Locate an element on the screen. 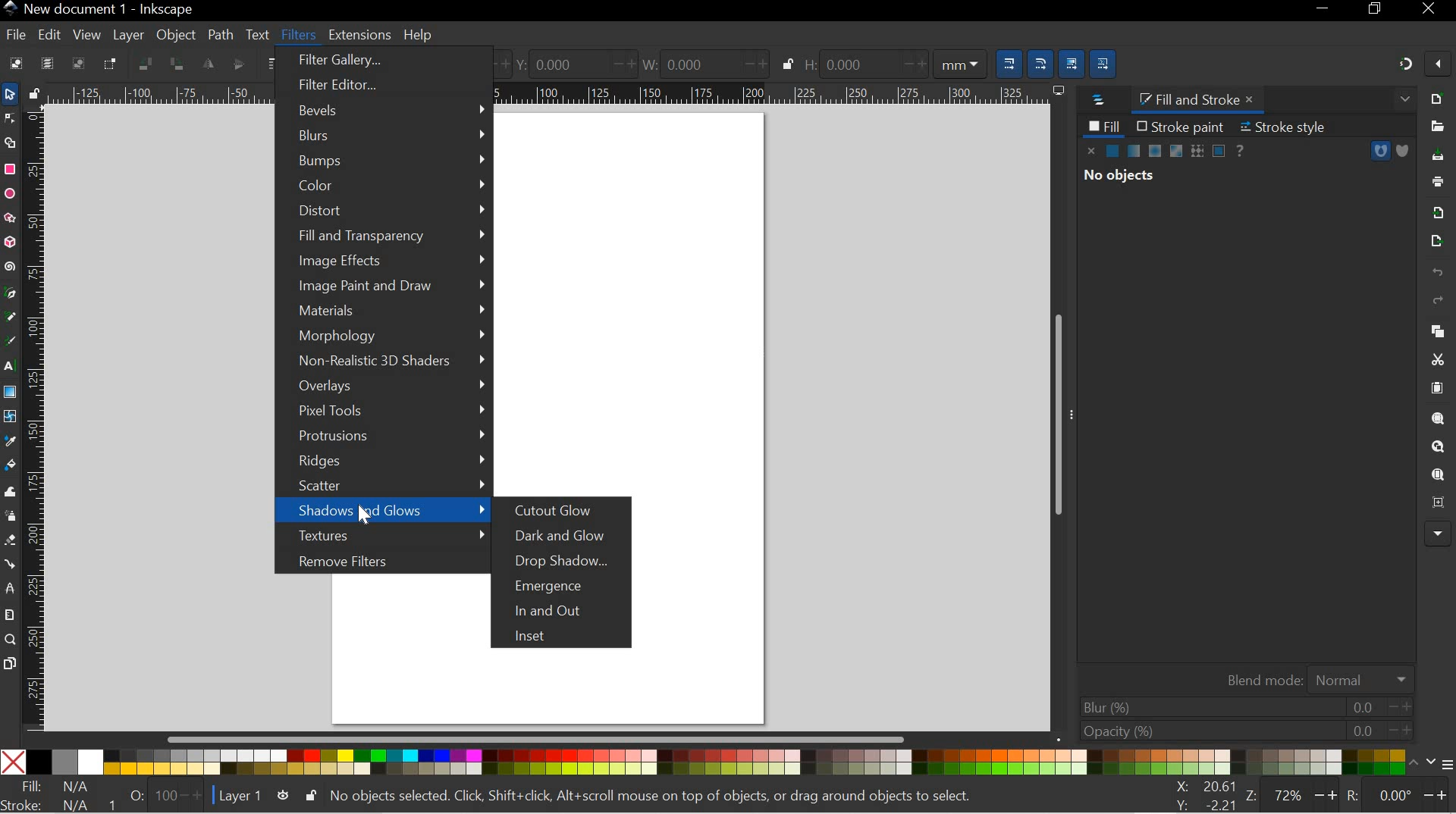 The height and width of the screenshot is (814, 1456). PATH is located at coordinates (219, 33).